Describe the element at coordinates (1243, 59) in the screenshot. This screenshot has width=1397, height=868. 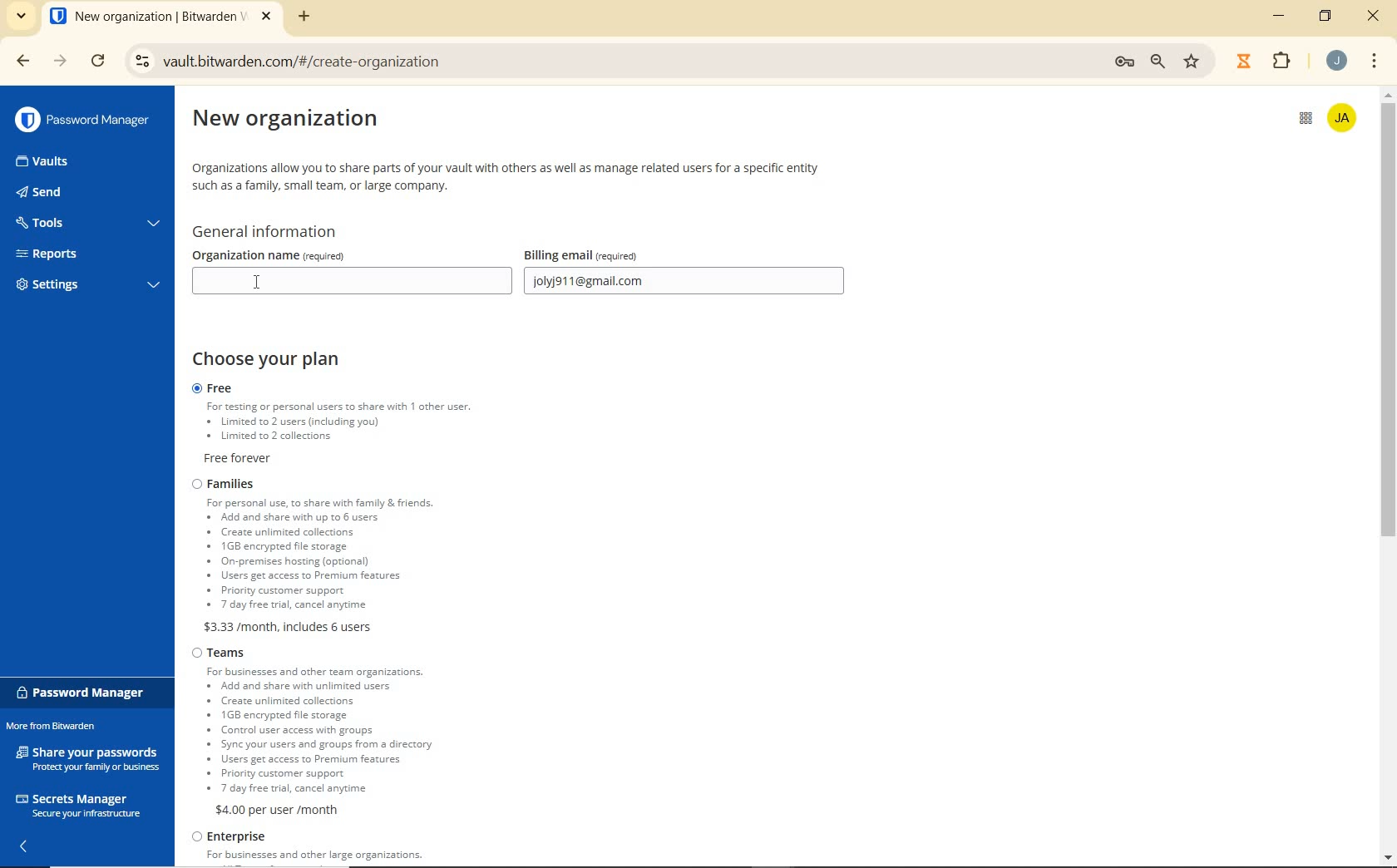
I see `JIBBLE` at that location.